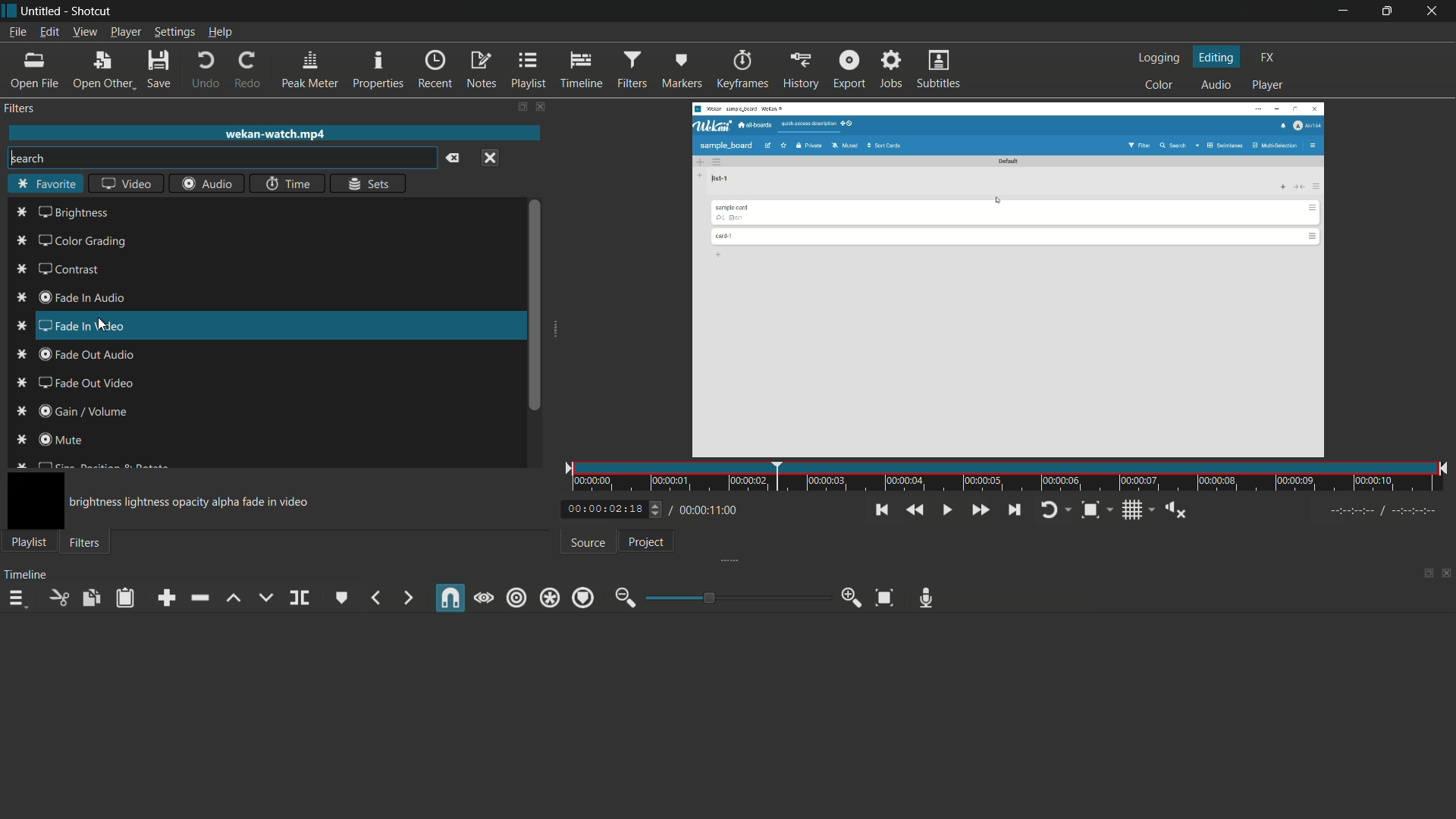 The image size is (1456, 819). Describe the element at coordinates (1385, 512) in the screenshot. I see `In point` at that location.